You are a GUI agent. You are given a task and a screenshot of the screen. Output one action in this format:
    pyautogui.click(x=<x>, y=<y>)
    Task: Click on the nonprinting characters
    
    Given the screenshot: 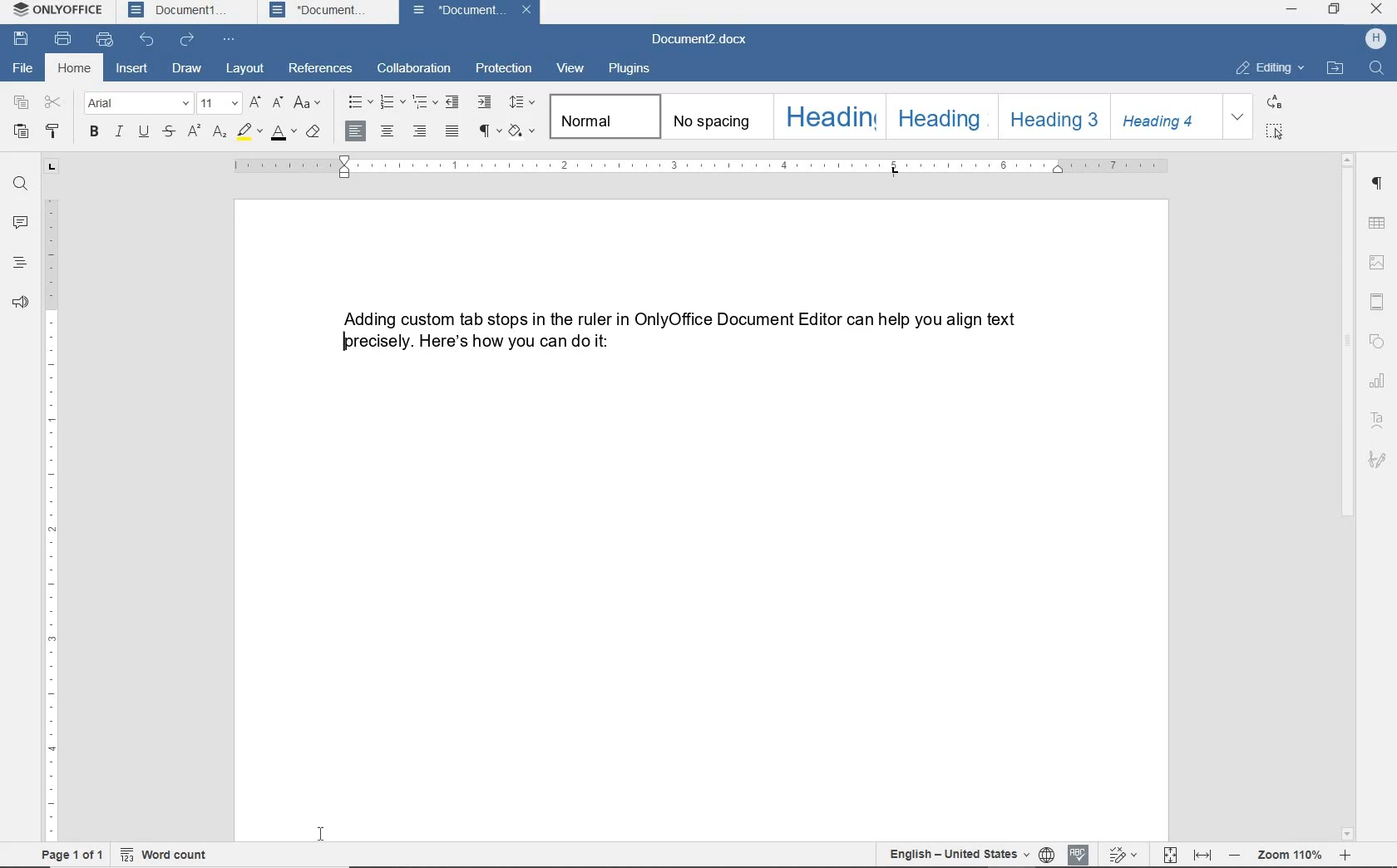 What is the action you would take?
    pyautogui.click(x=488, y=133)
    